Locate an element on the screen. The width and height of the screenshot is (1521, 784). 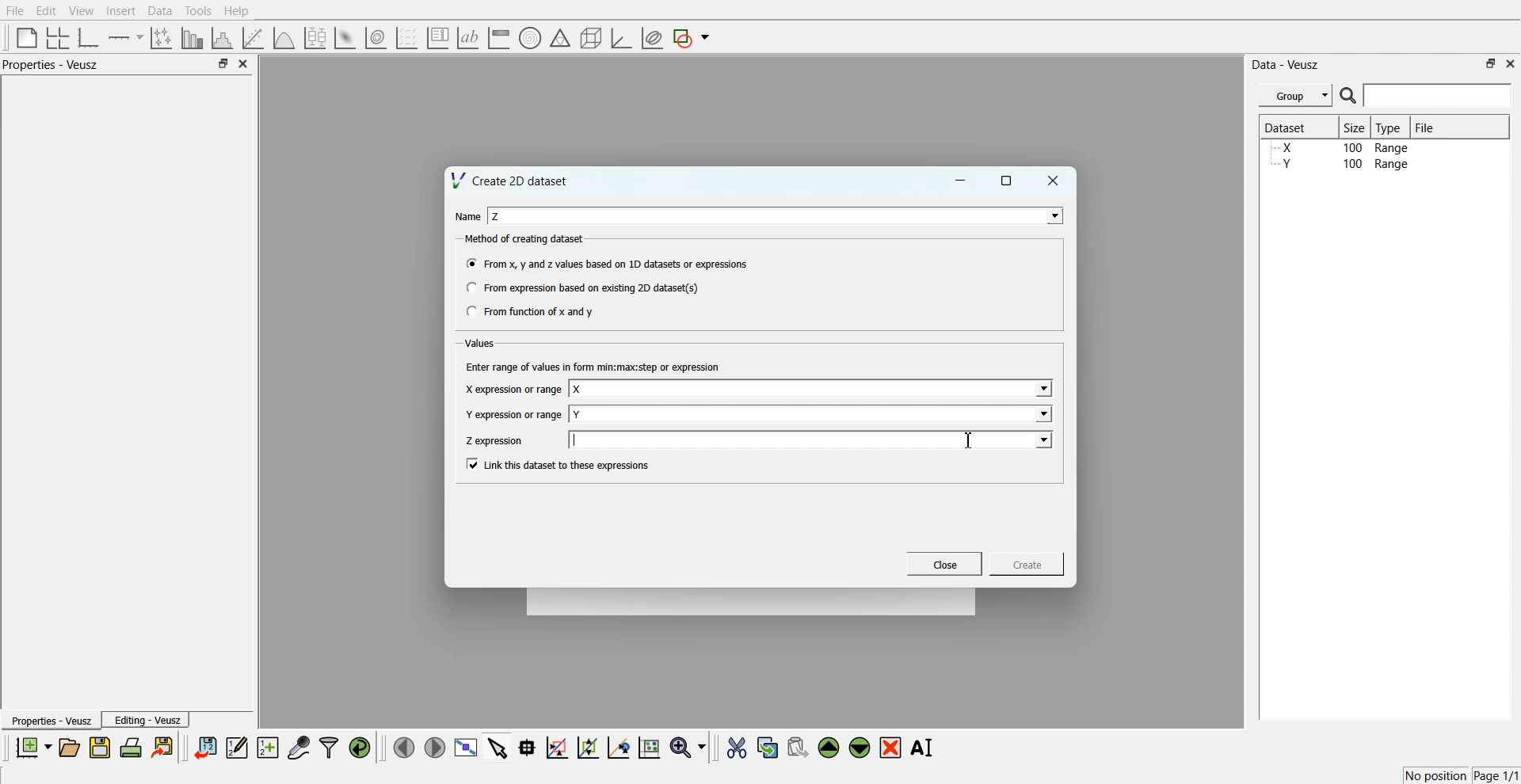
Ternary Graph is located at coordinates (560, 37).